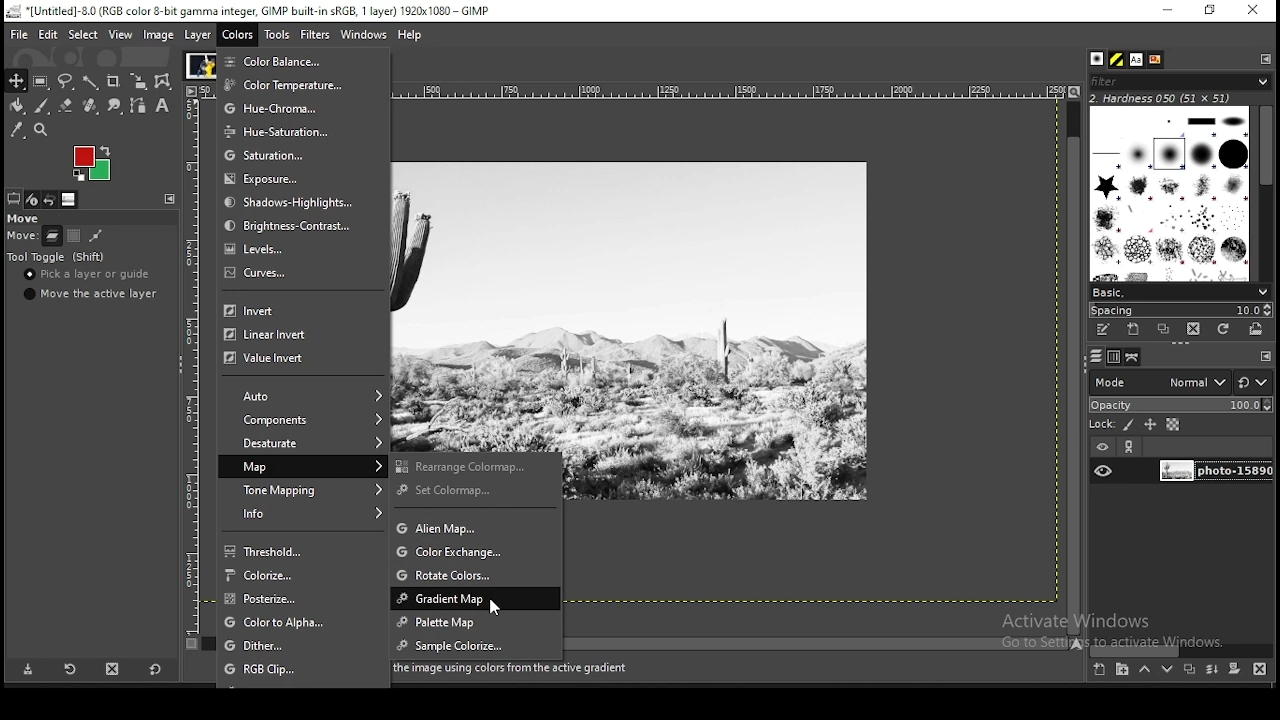 Image resolution: width=1280 pixels, height=720 pixels. What do you see at coordinates (1168, 11) in the screenshot?
I see `minimize` at bounding box center [1168, 11].